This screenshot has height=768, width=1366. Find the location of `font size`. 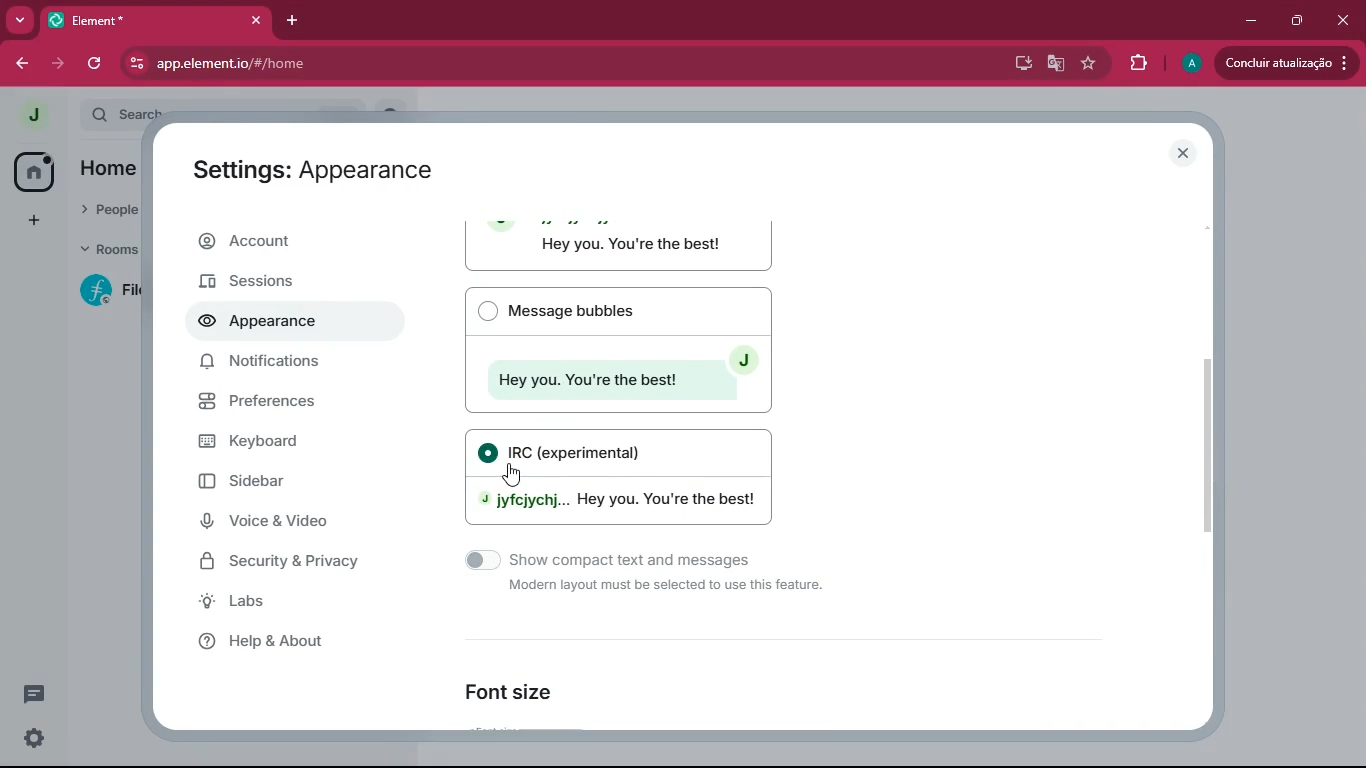

font size is located at coordinates (522, 691).